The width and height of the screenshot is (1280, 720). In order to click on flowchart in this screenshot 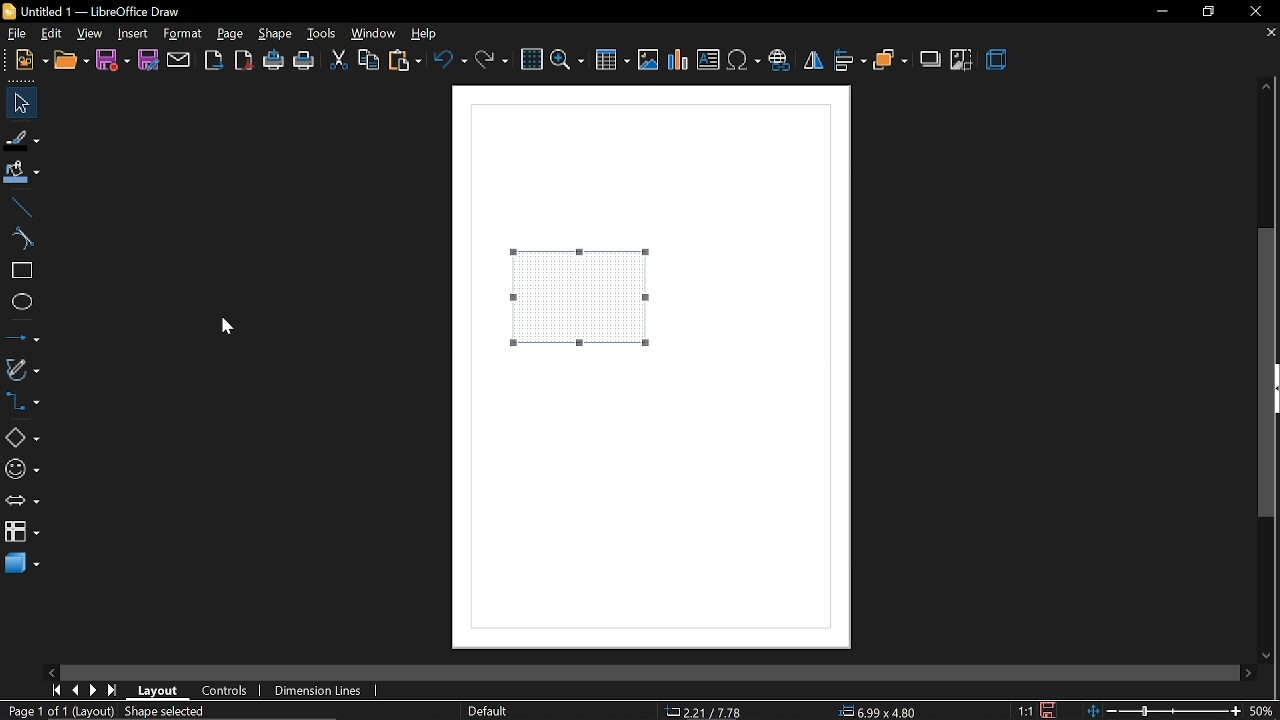, I will do `click(21, 532)`.